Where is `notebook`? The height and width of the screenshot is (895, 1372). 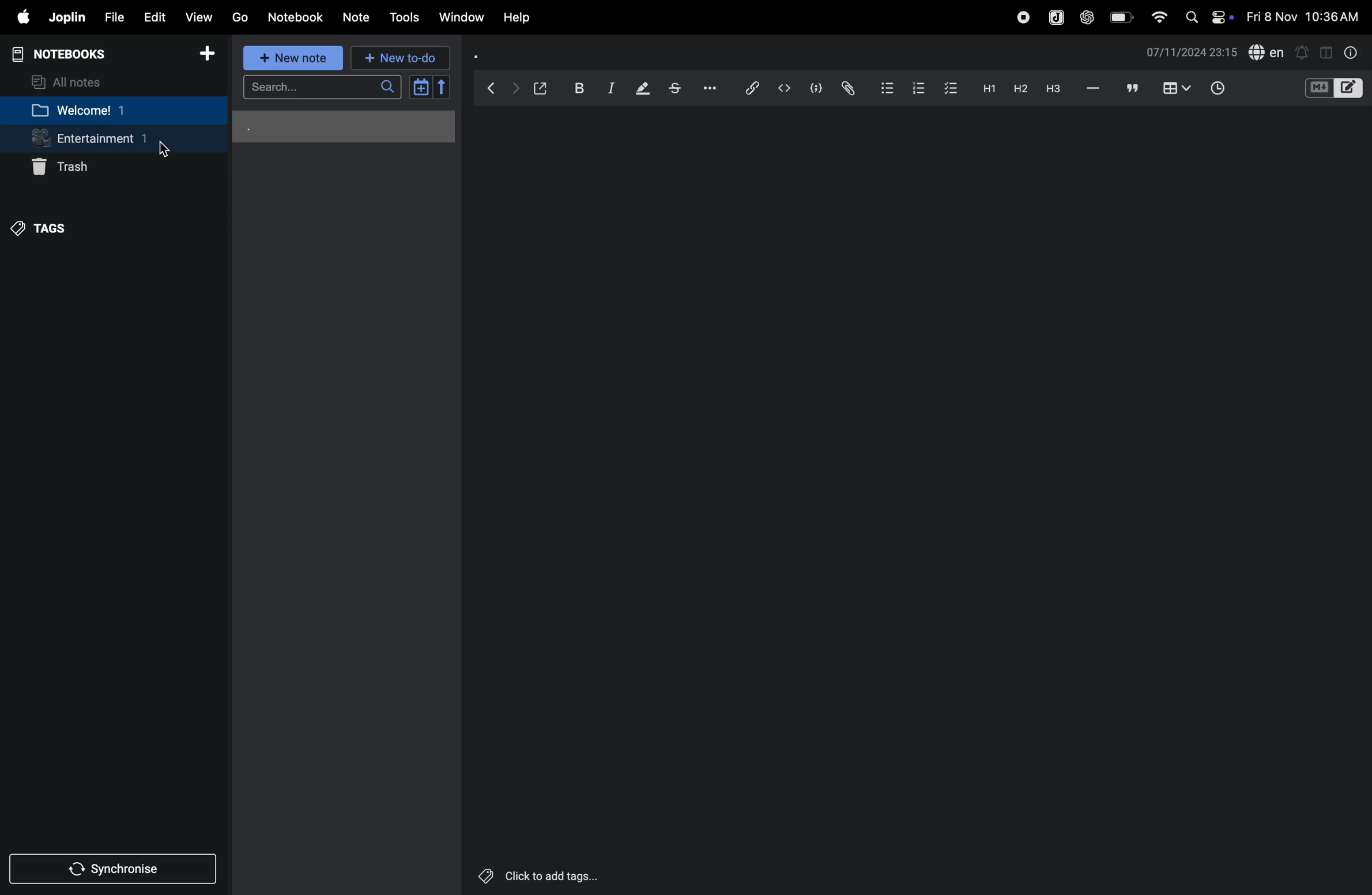
notebook is located at coordinates (296, 18).